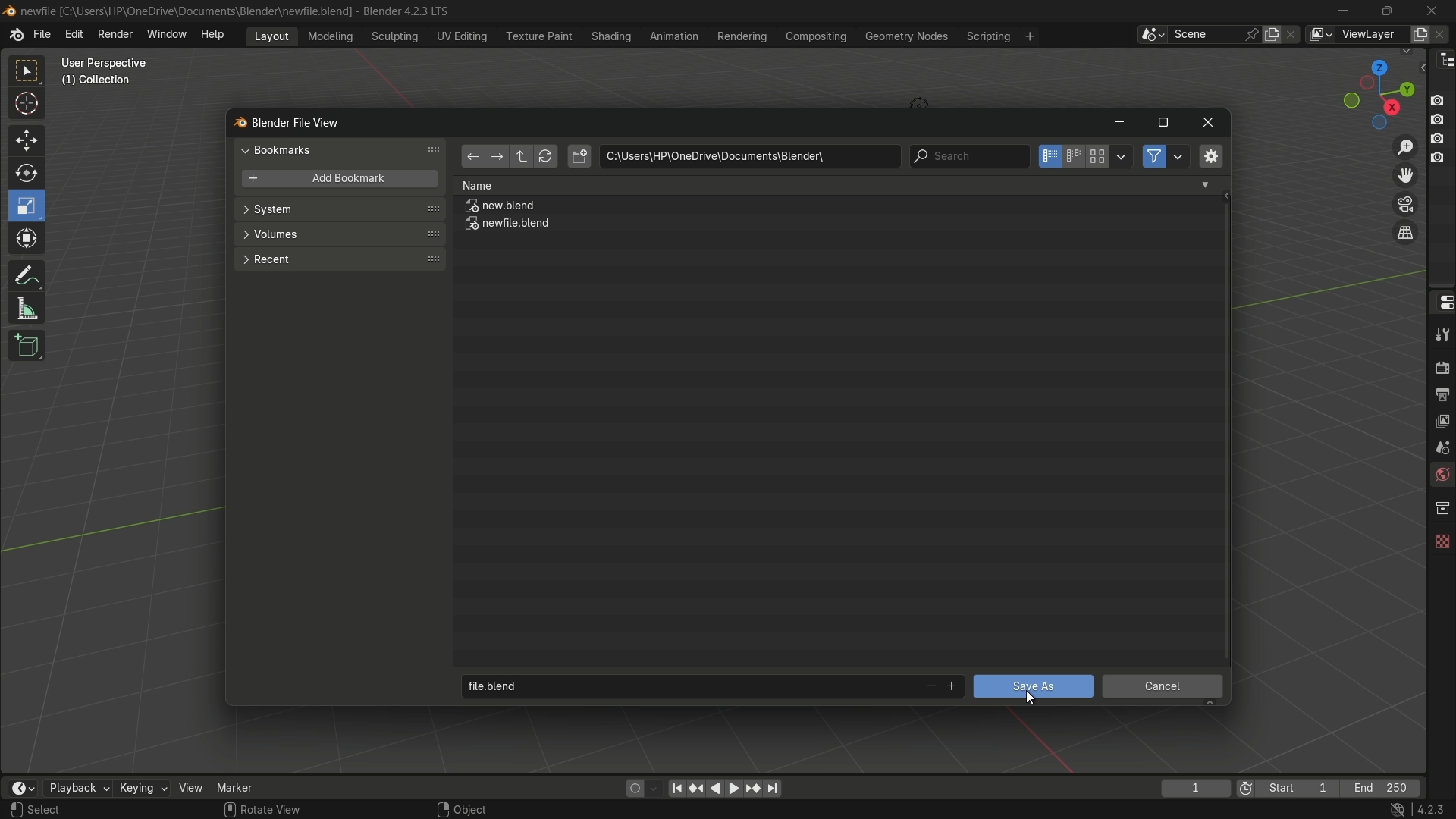 Image resolution: width=1456 pixels, height=819 pixels. Describe the element at coordinates (1405, 202) in the screenshot. I see `toggle camera view layer` at that location.